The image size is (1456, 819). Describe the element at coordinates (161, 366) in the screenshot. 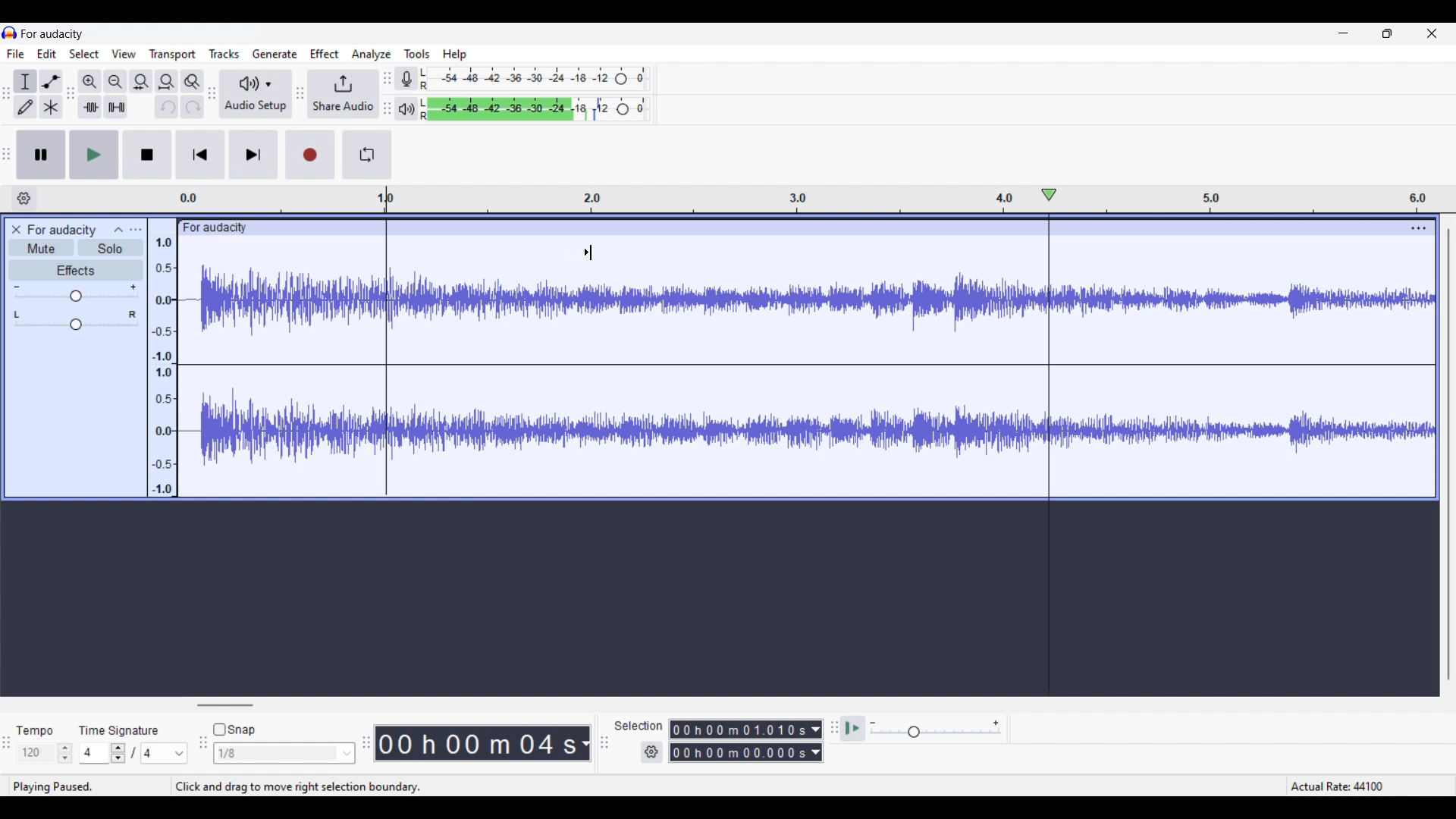

I see `Scale to measure intenssity of sound` at that location.